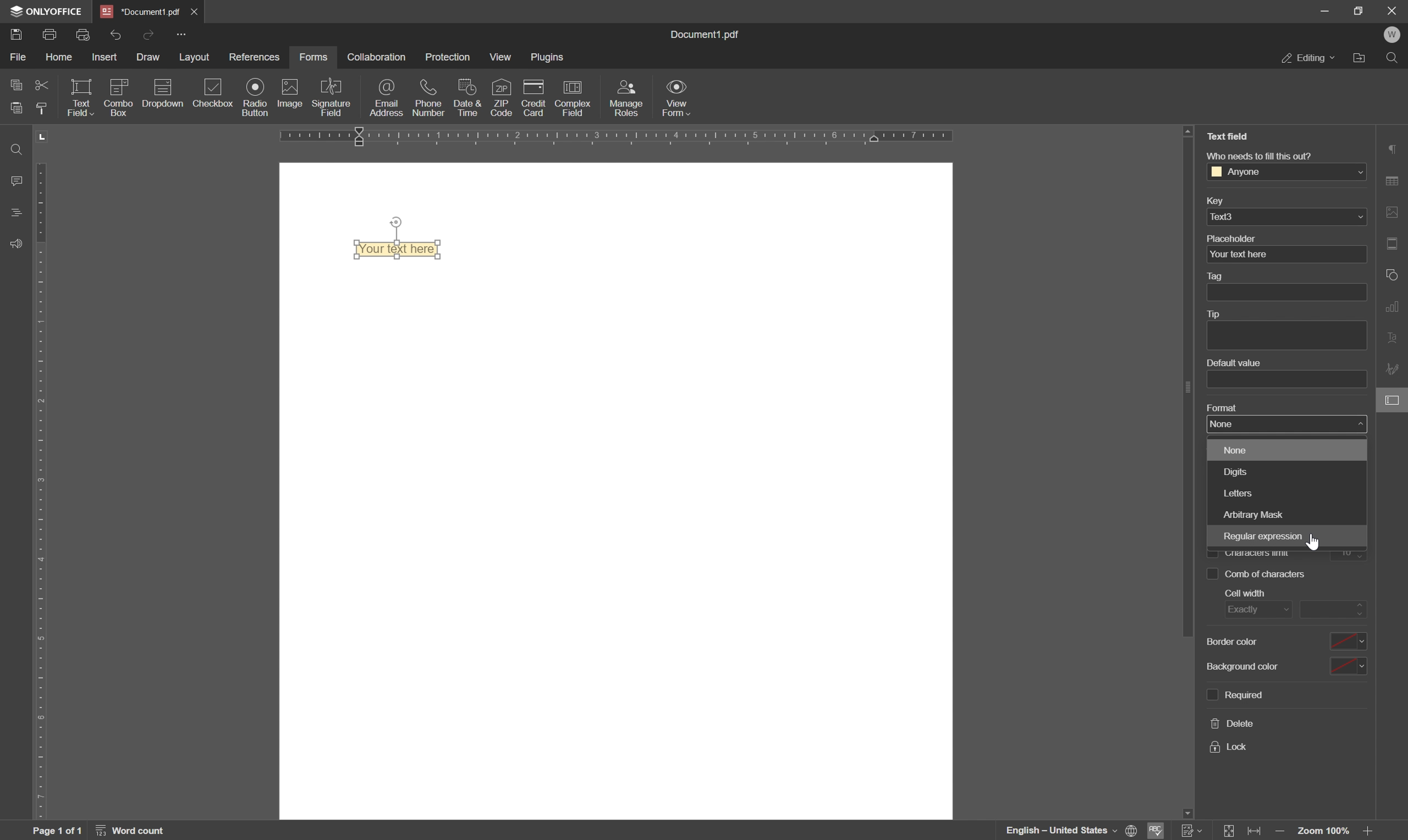  What do you see at coordinates (1183, 392) in the screenshot?
I see `scroll bar` at bounding box center [1183, 392].